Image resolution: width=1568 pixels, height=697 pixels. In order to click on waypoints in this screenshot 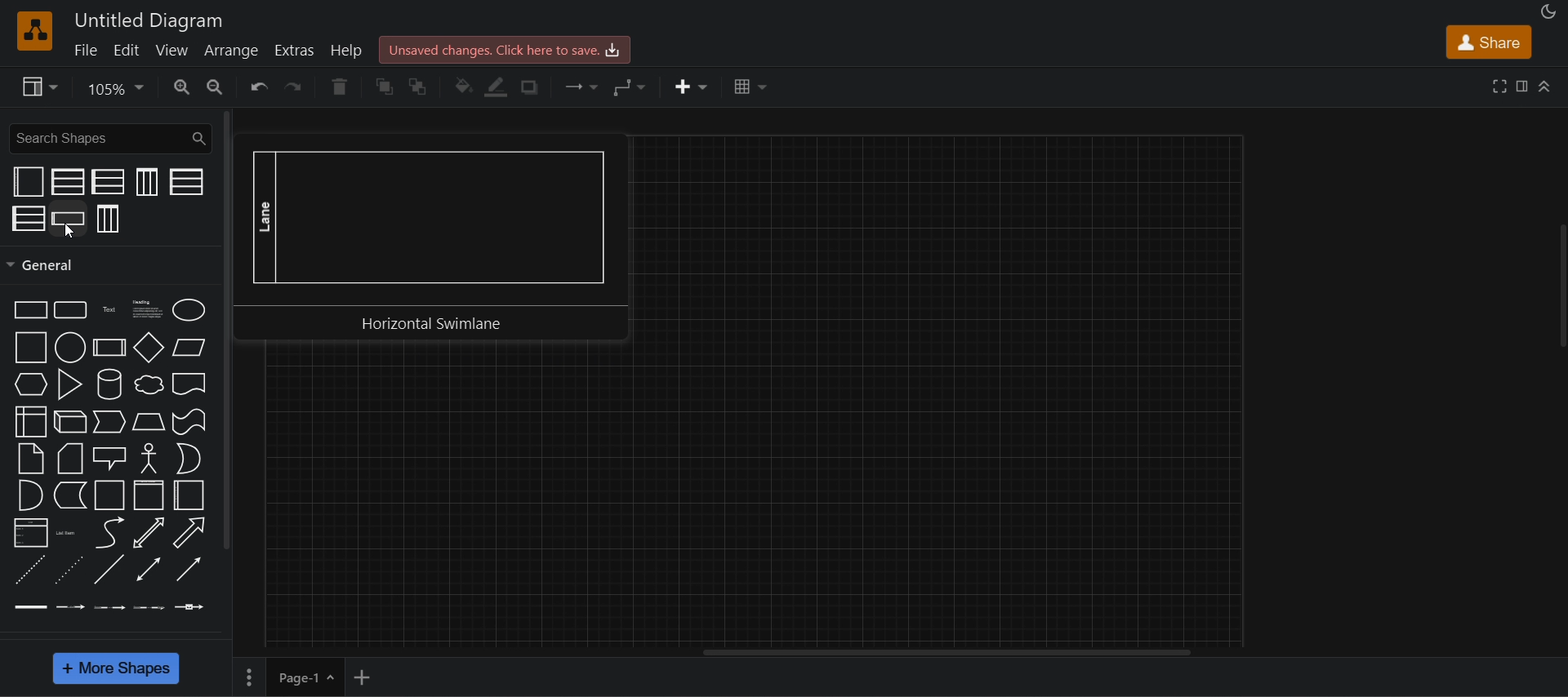, I will do `click(632, 87)`.